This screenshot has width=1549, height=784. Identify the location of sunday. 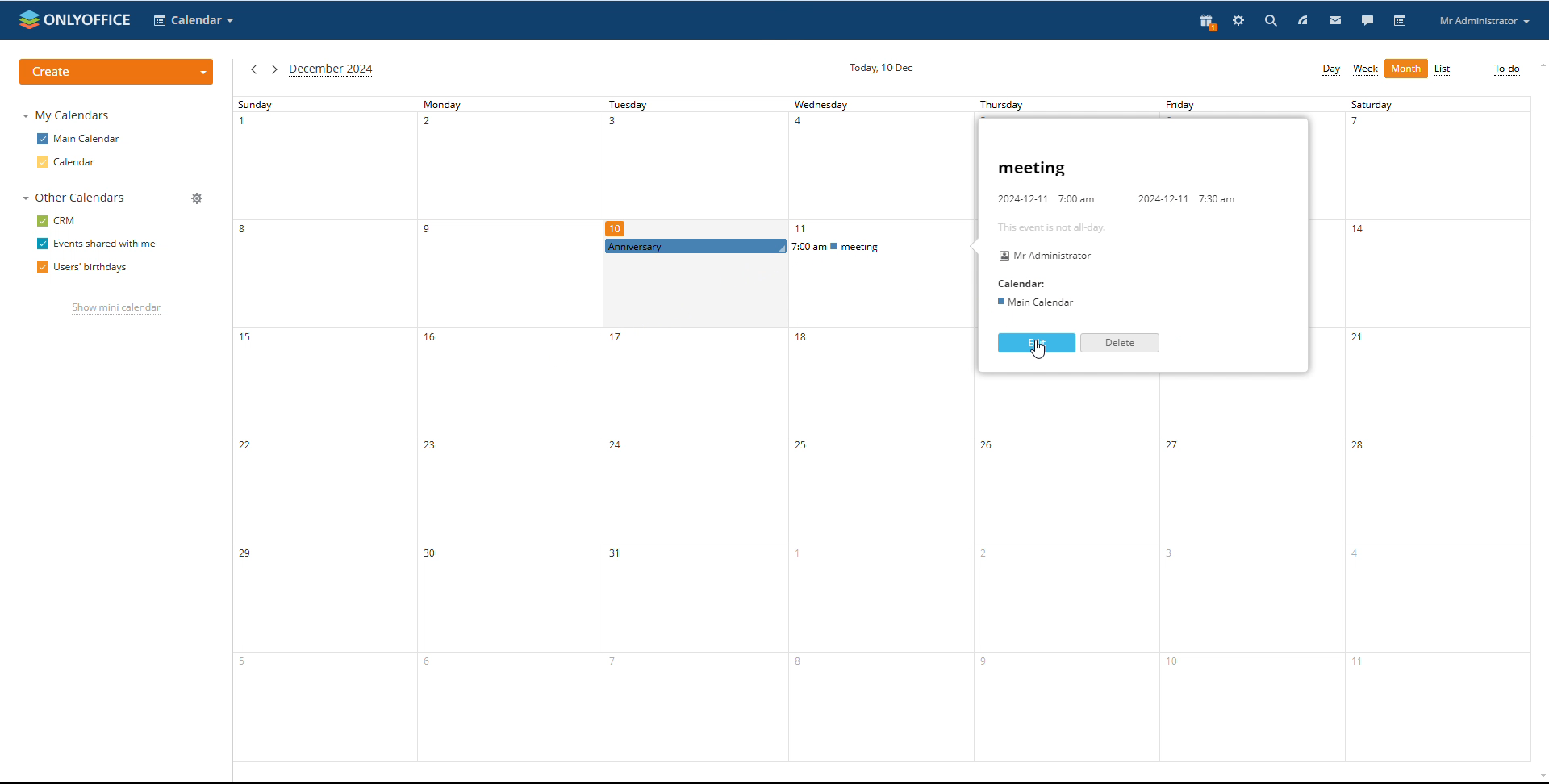
(324, 428).